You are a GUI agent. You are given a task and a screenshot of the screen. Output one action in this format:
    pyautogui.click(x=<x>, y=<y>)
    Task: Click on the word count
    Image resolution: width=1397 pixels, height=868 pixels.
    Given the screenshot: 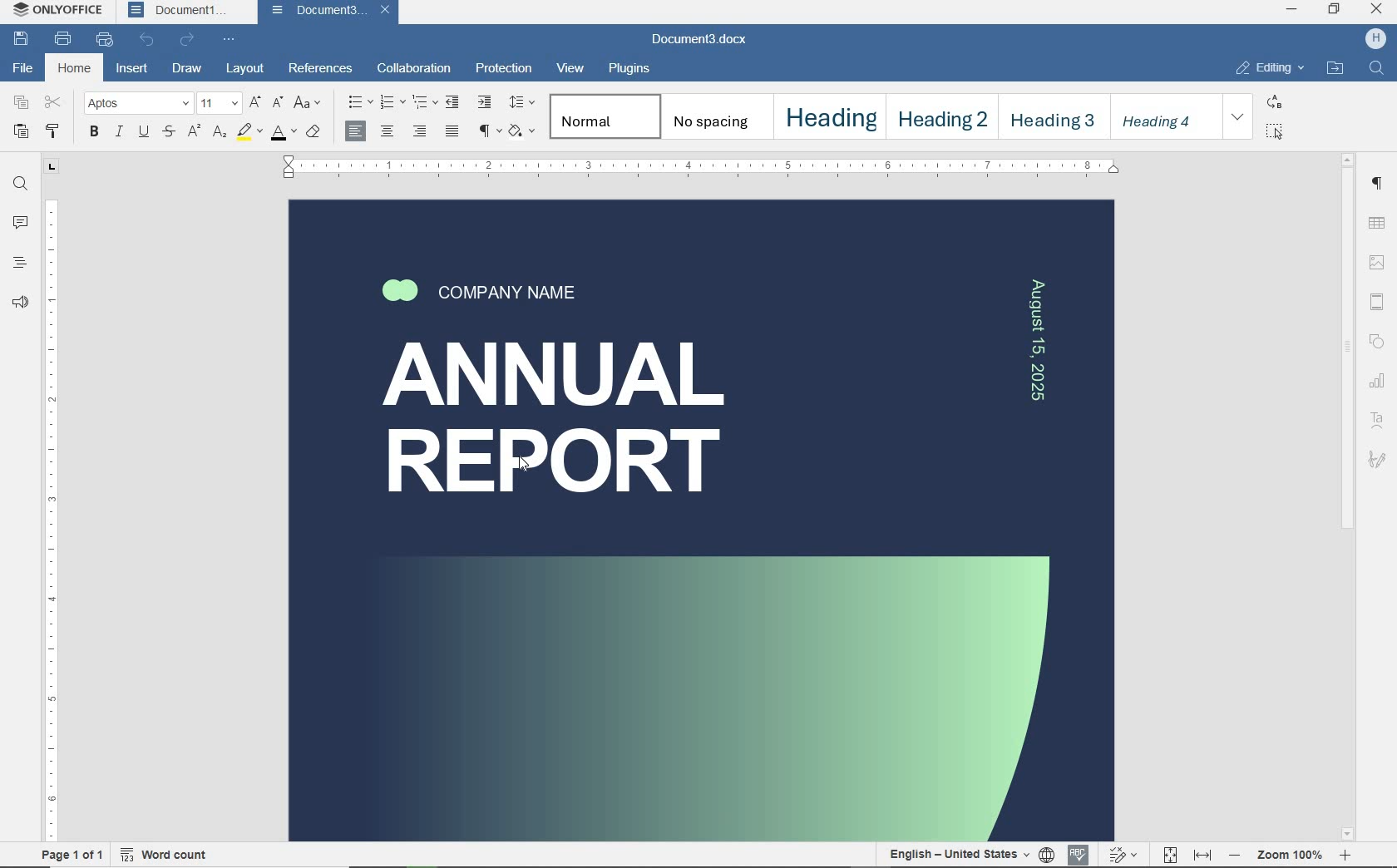 What is the action you would take?
    pyautogui.click(x=175, y=856)
    